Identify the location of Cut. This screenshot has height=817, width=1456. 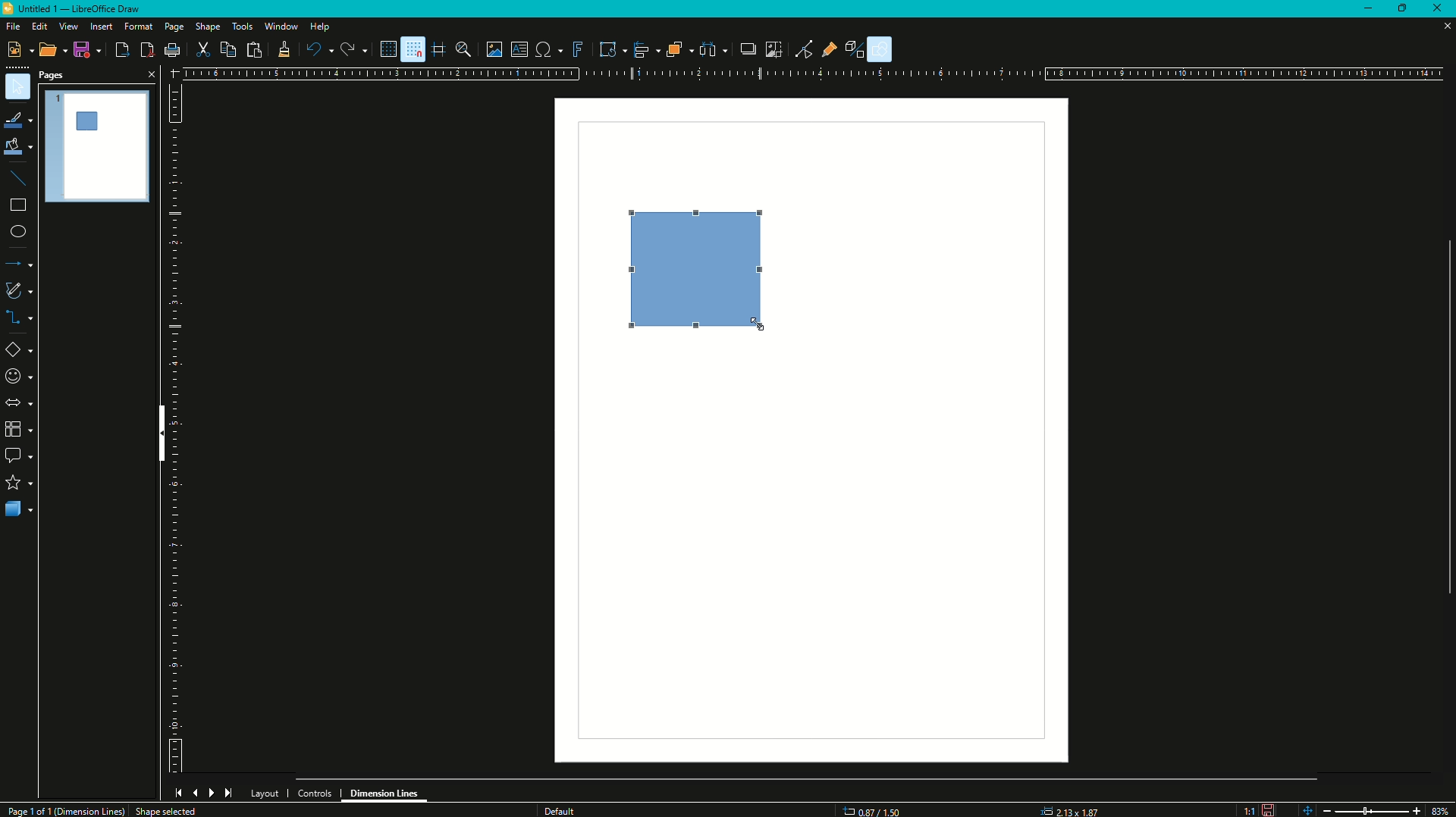
(203, 49).